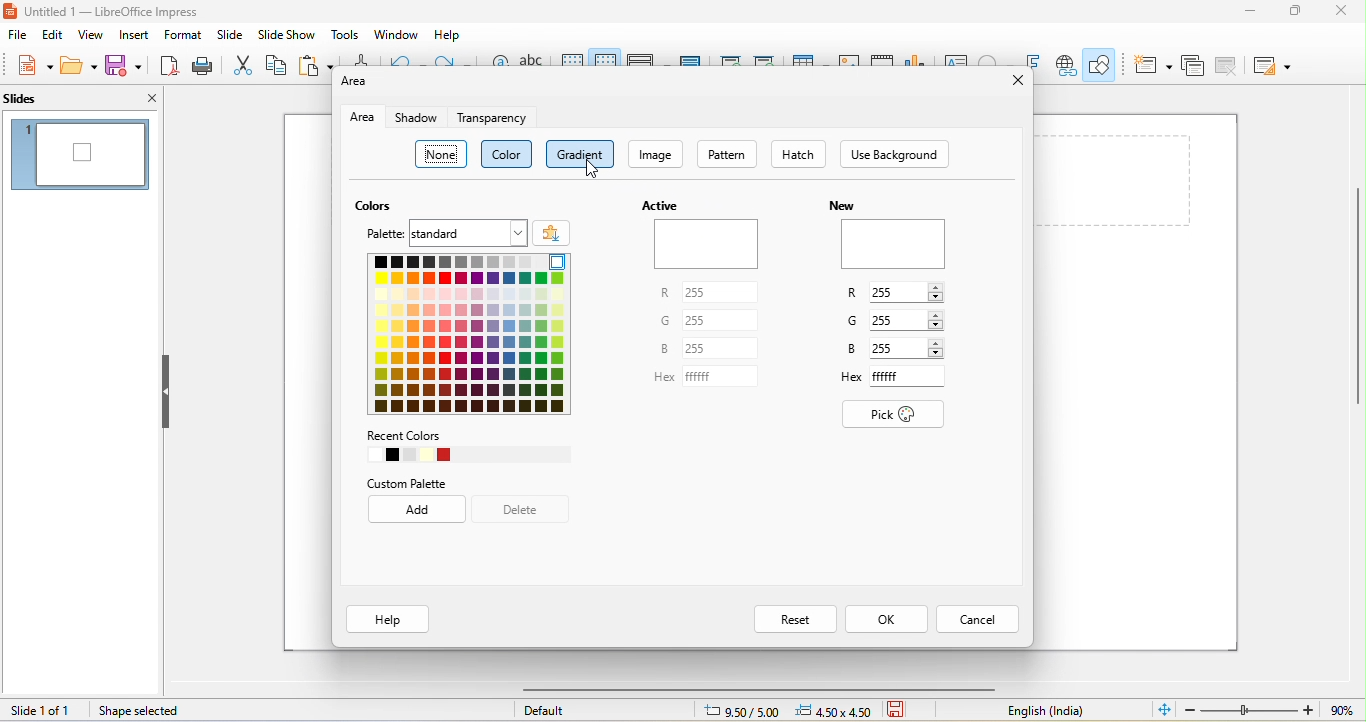  What do you see at coordinates (490, 120) in the screenshot?
I see `transparency` at bounding box center [490, 120].